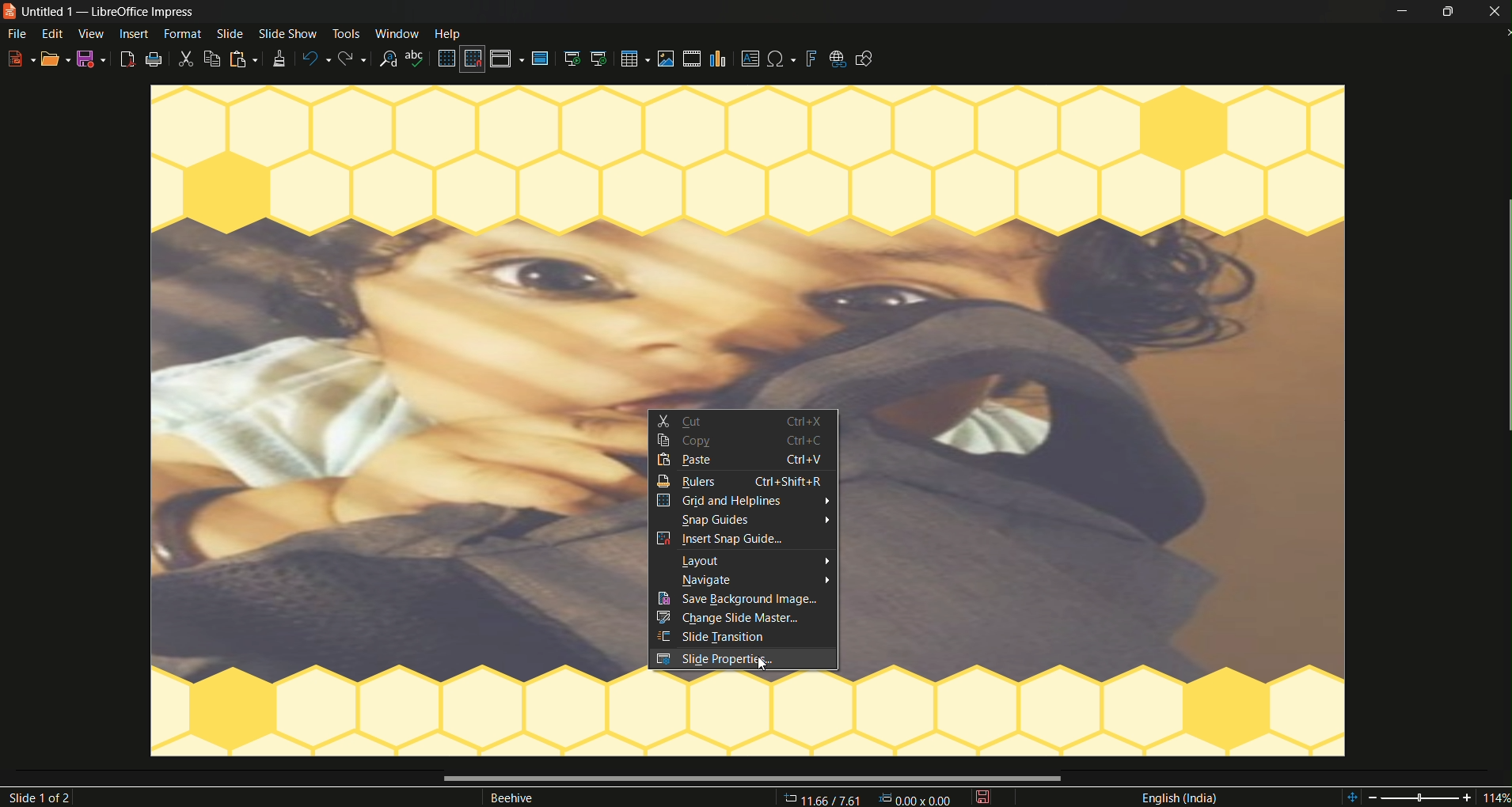 The image size is (1512, 807). I want to click on edit, so click(54, 34).